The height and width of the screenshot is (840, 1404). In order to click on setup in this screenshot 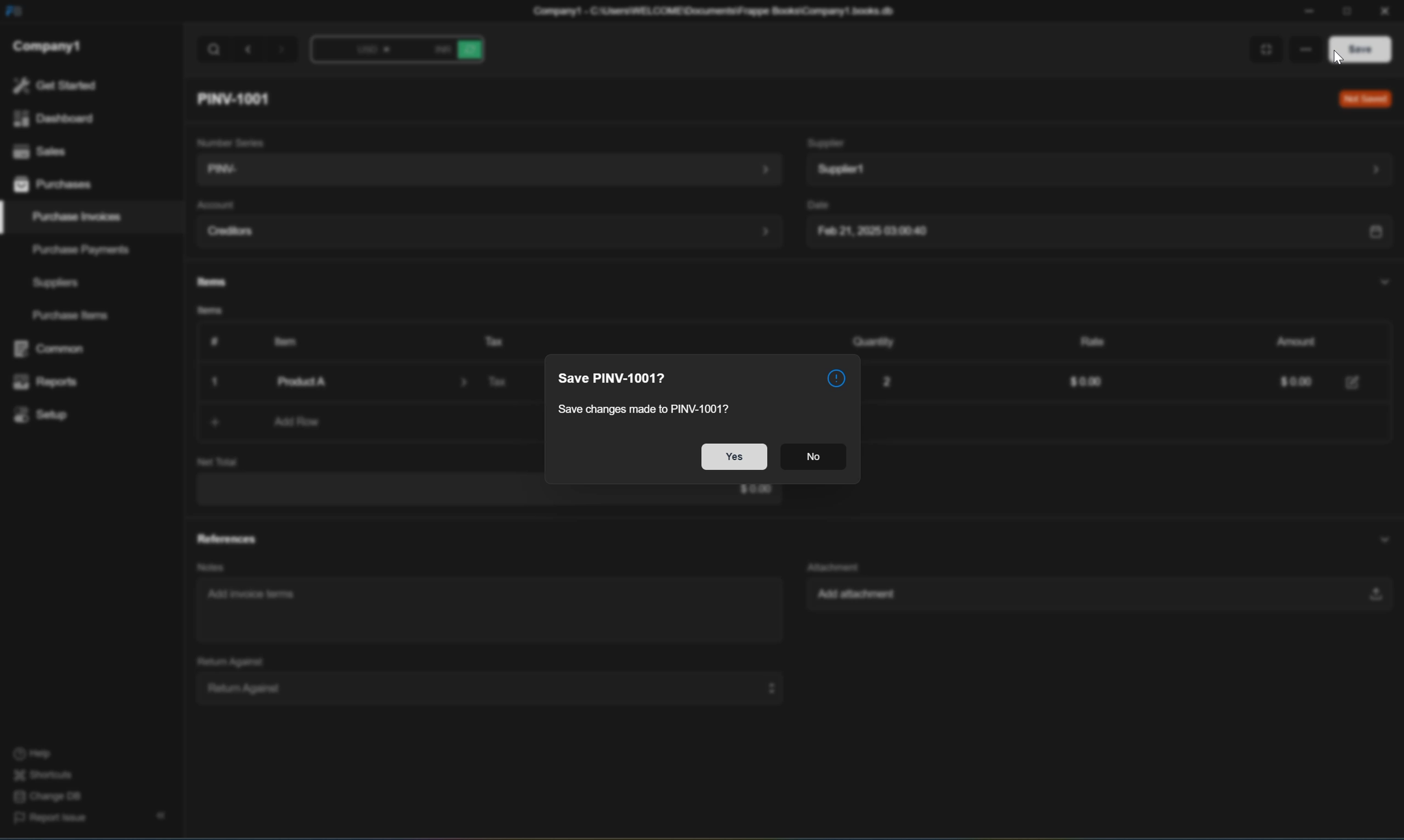, I will do `click(44, 414)`.